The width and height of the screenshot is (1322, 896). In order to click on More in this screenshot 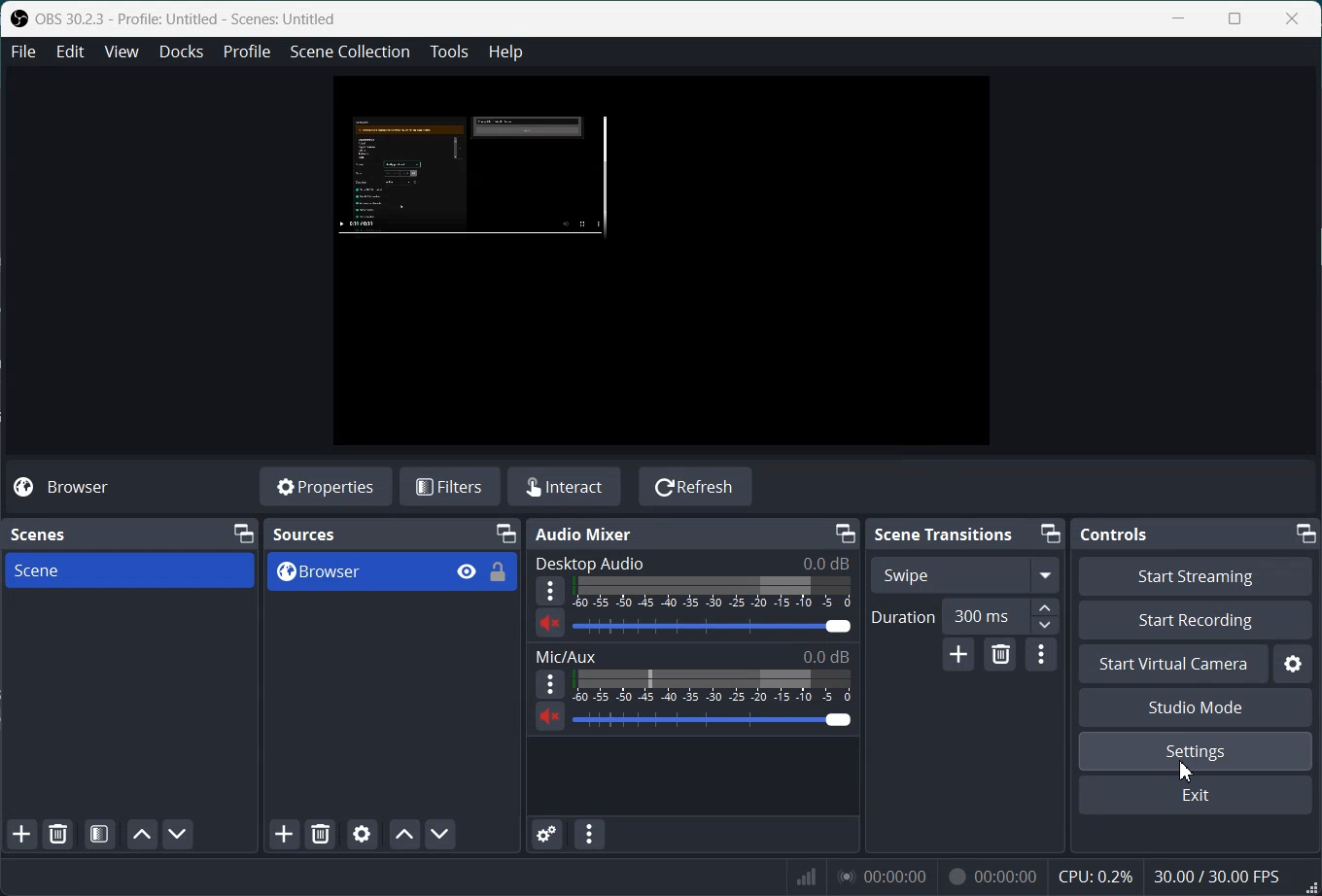, I will do `click(548, 592)`.